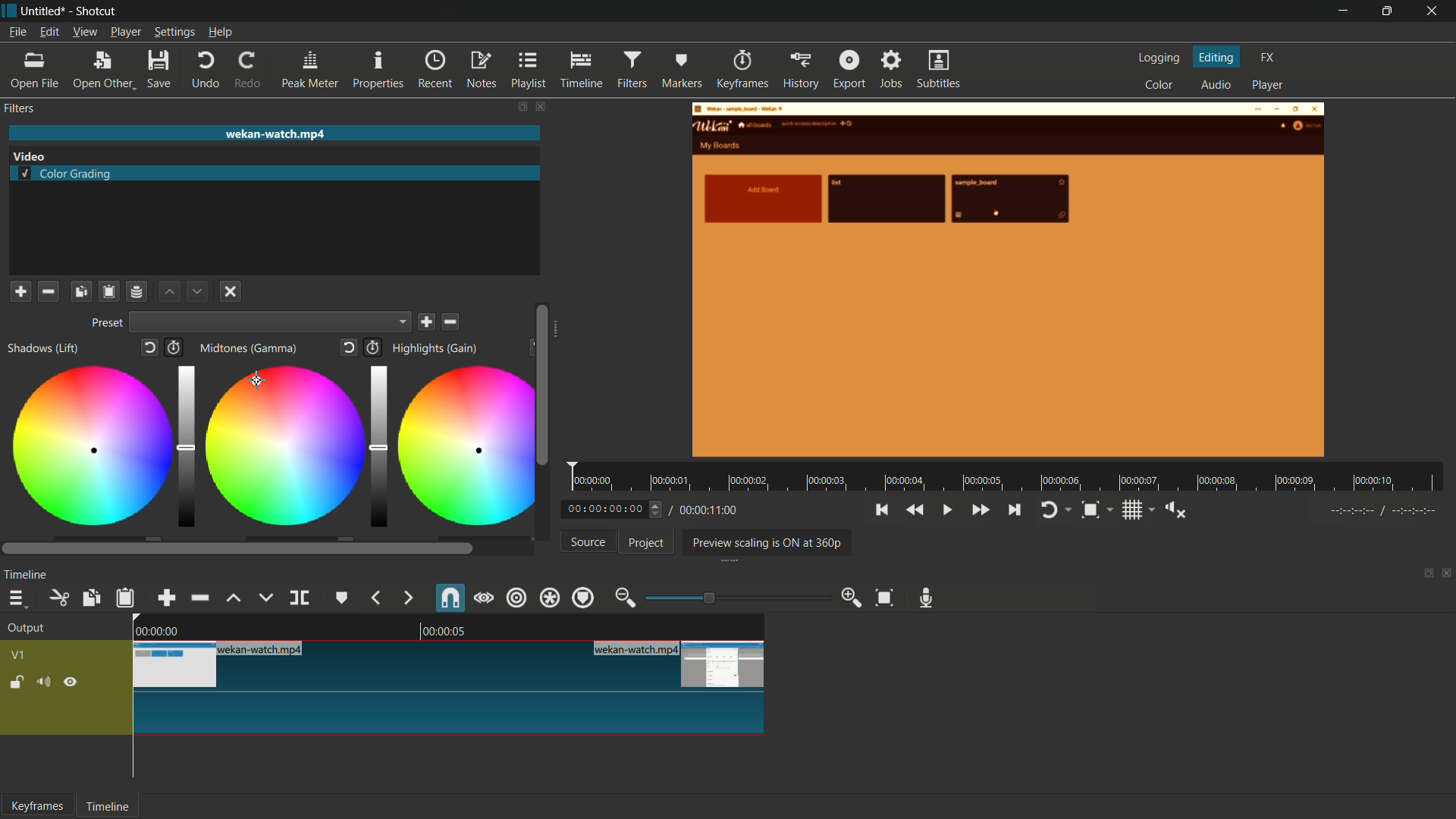 The height and width of the screenshot is (819, 1456). What do you see at coordinates (927, 598) in the screenshot?
I see `record audio` at bounding box center [927, 598].